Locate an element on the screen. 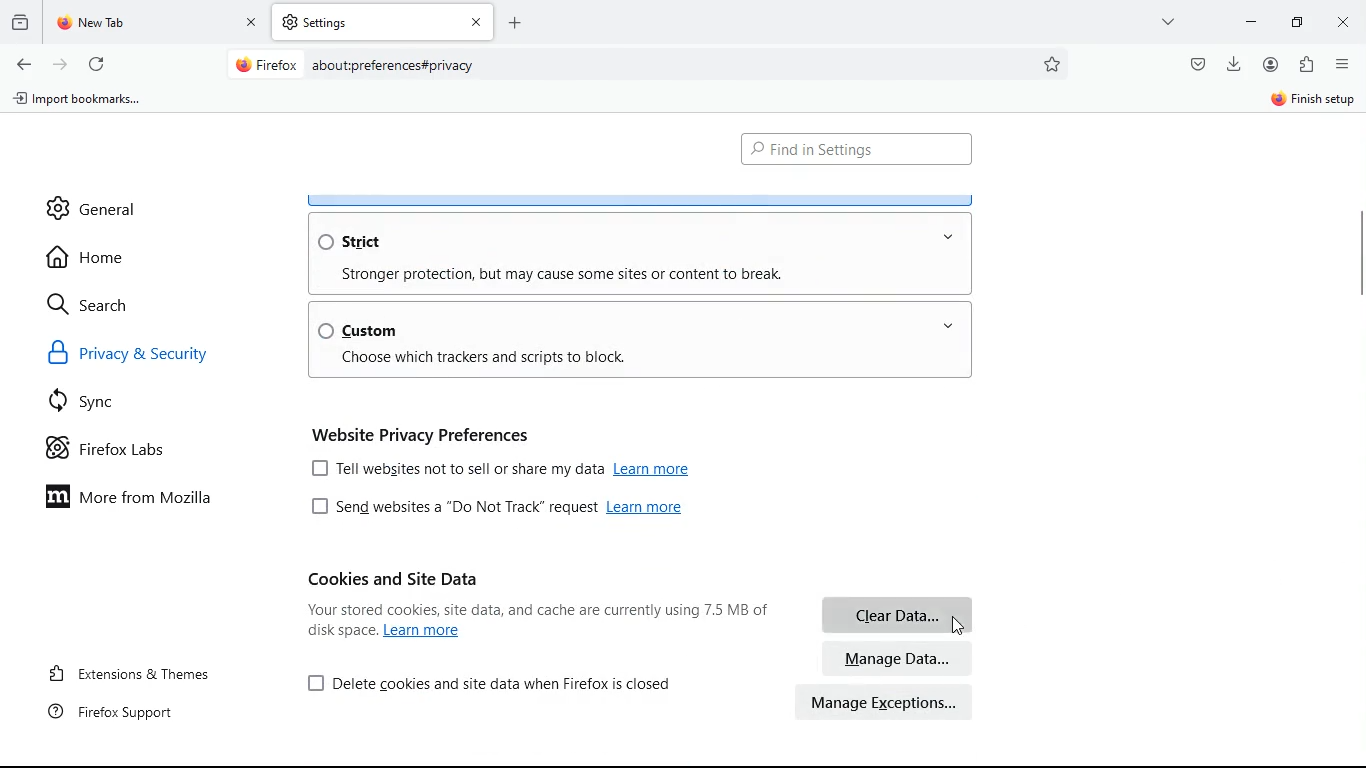 The height and width of the screenshot is (768, 1366). Firefox is located at coordinates (267, 64).